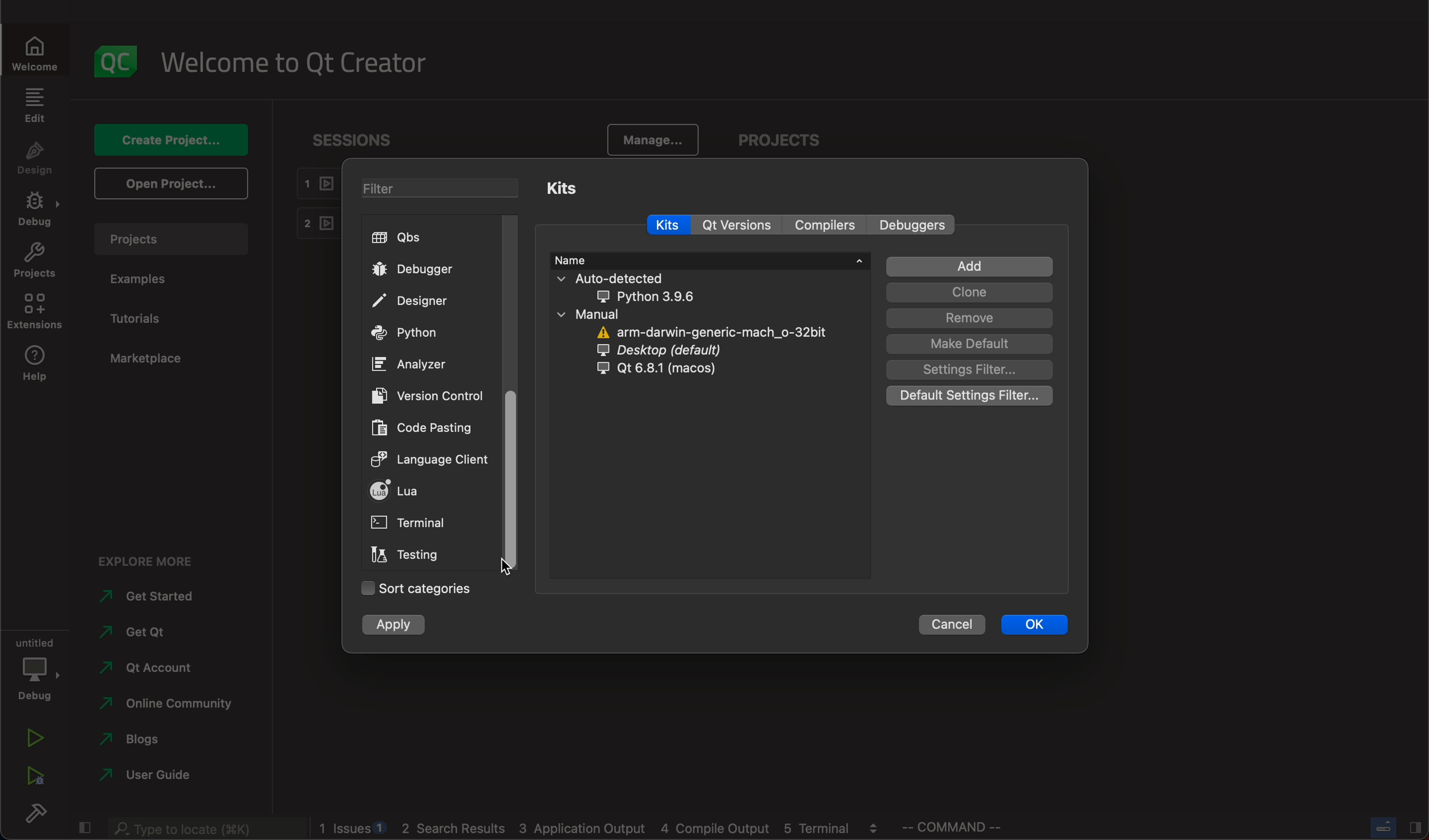  I want to click on account, so click(147, 670).